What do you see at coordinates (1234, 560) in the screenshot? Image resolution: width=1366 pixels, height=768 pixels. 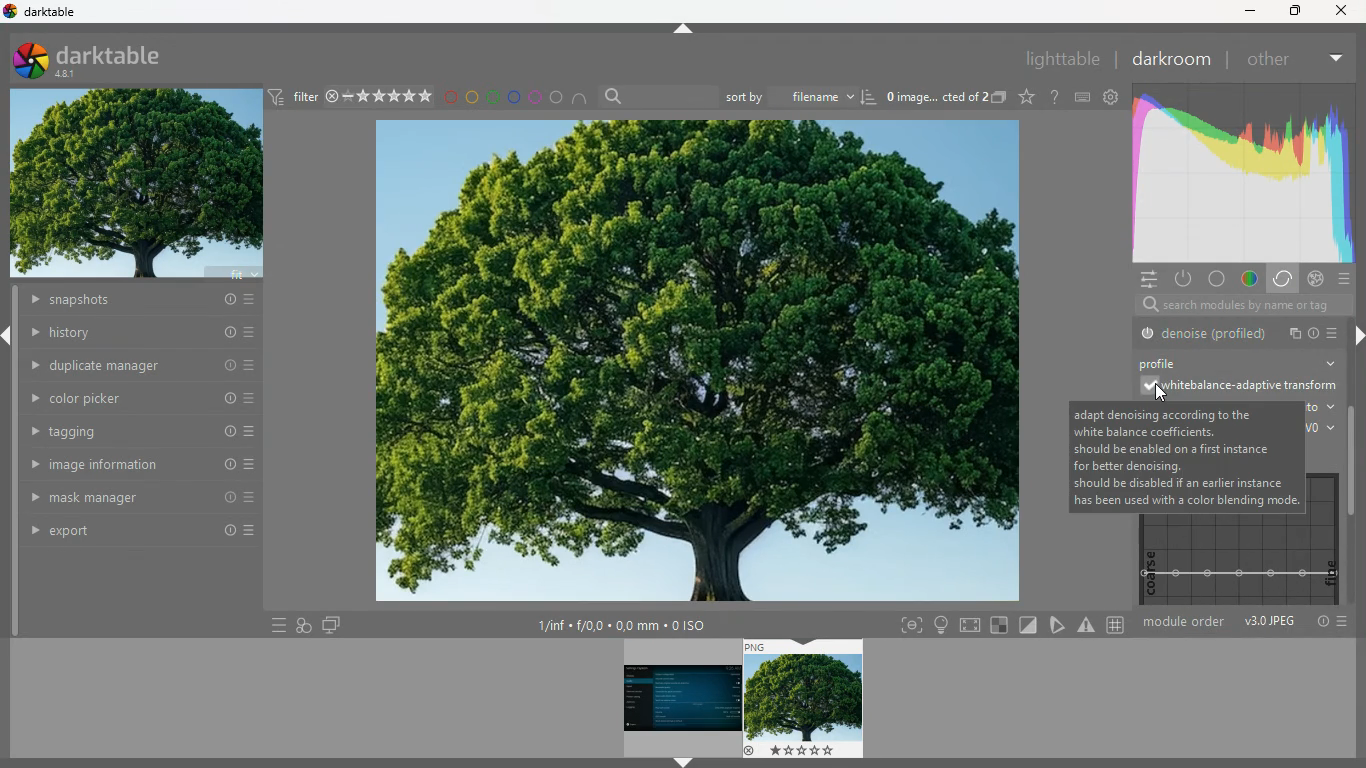 I see `scale` at bounding box center [1234, 560].